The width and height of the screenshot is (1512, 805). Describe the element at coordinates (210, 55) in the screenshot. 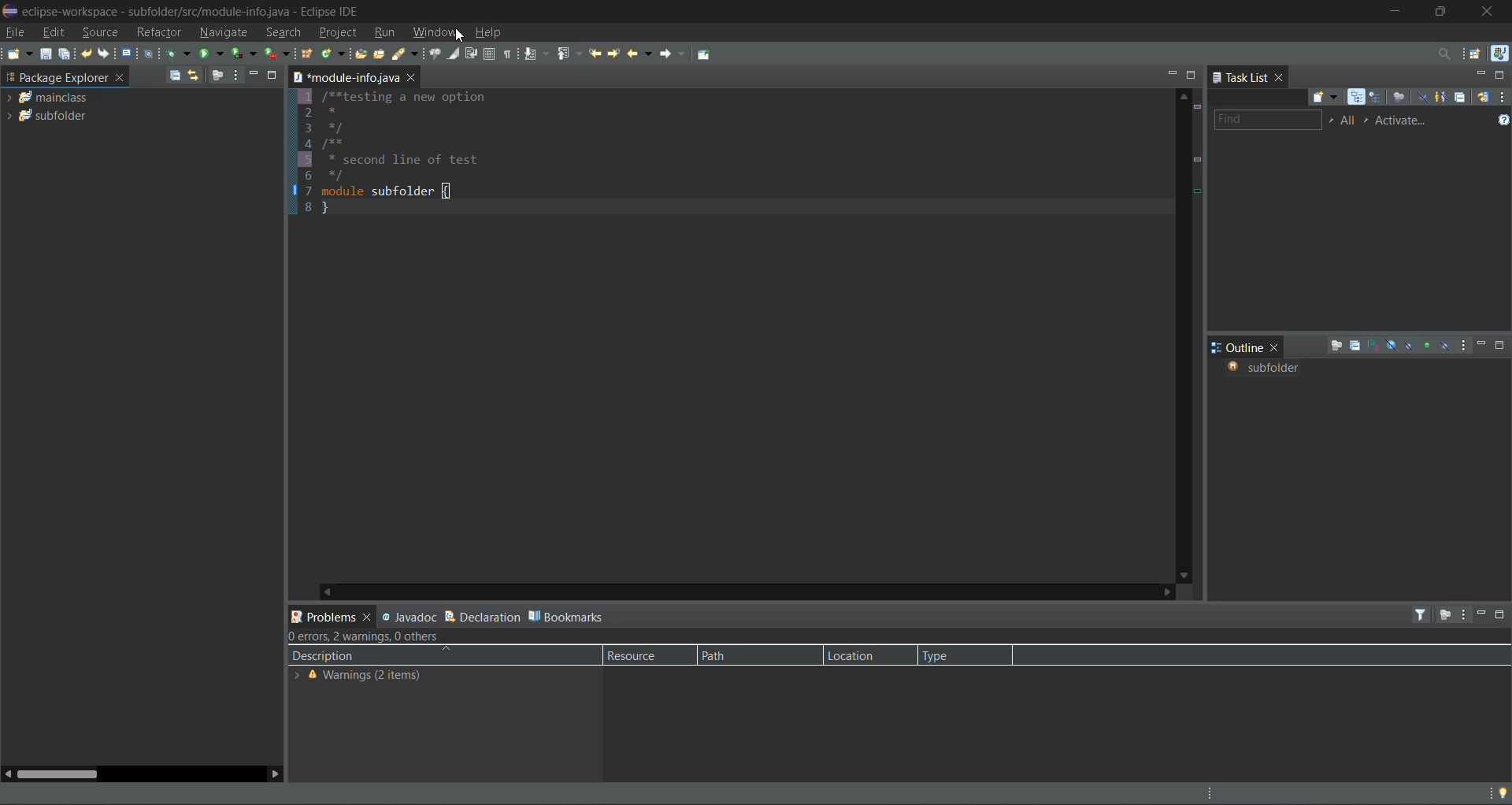

I see `run` at that location.